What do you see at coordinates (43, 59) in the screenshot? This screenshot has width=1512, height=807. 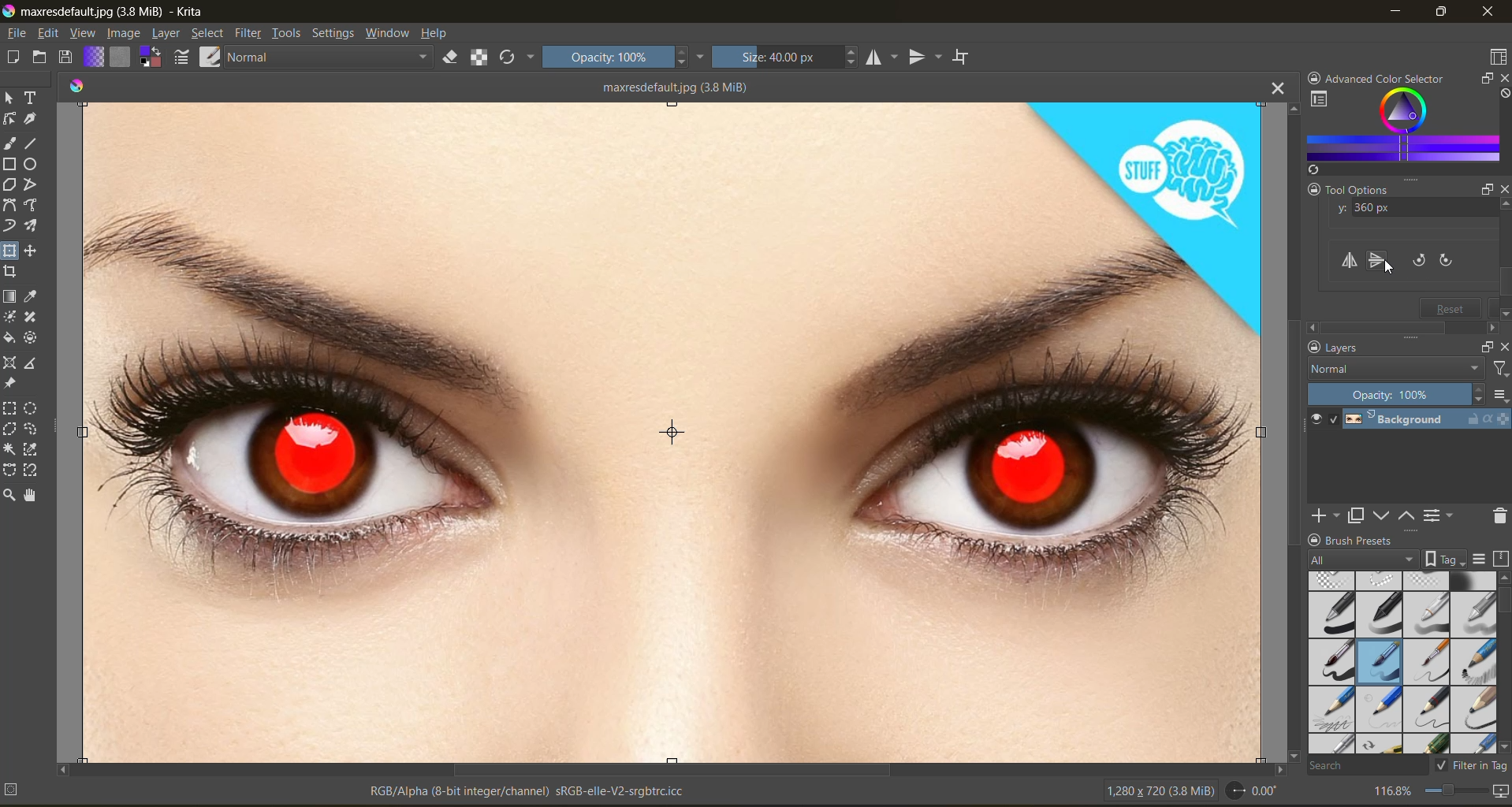 I see `open` at bounding box center [43, 59].